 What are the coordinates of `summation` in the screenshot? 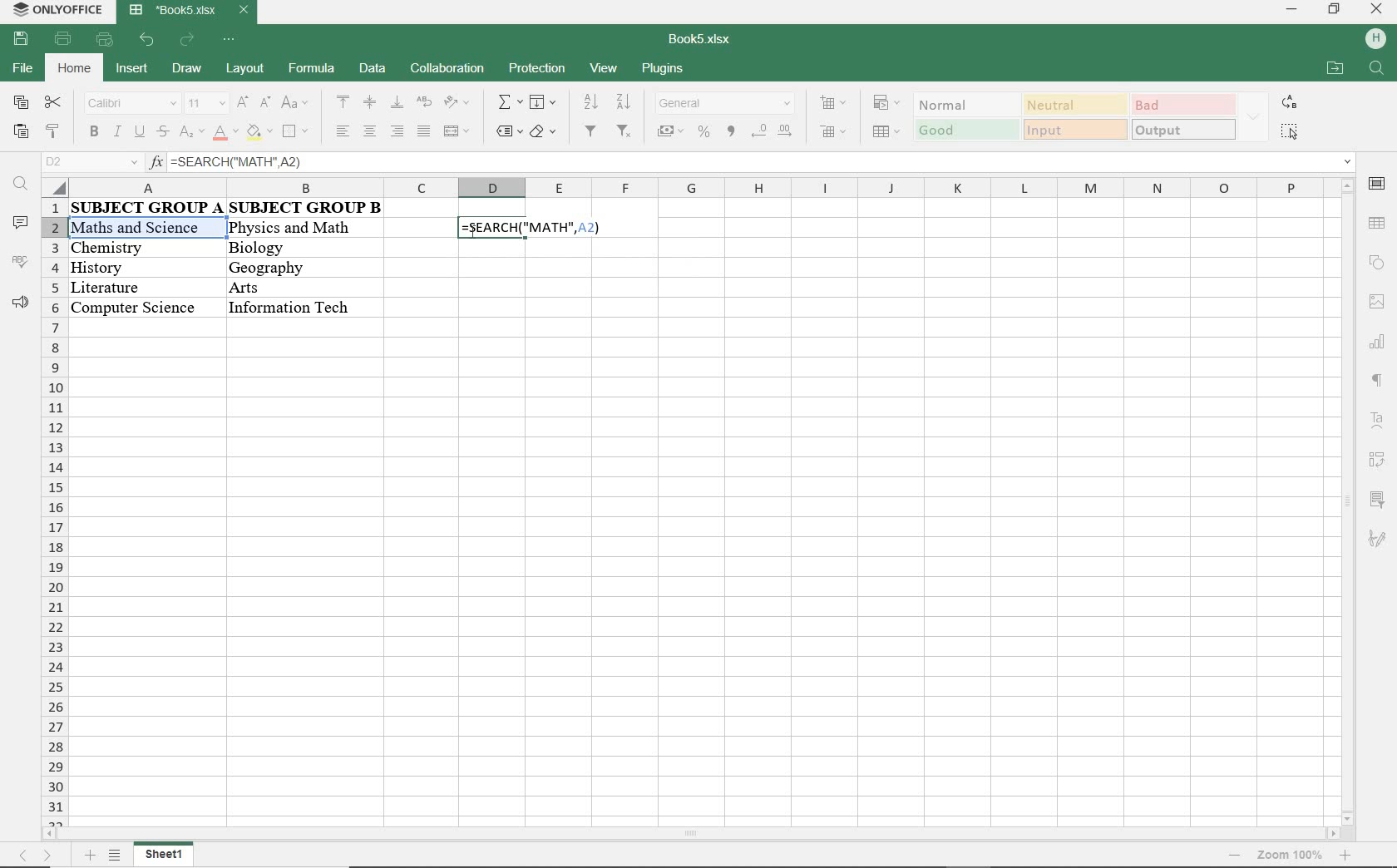 It's located at (509, 103).